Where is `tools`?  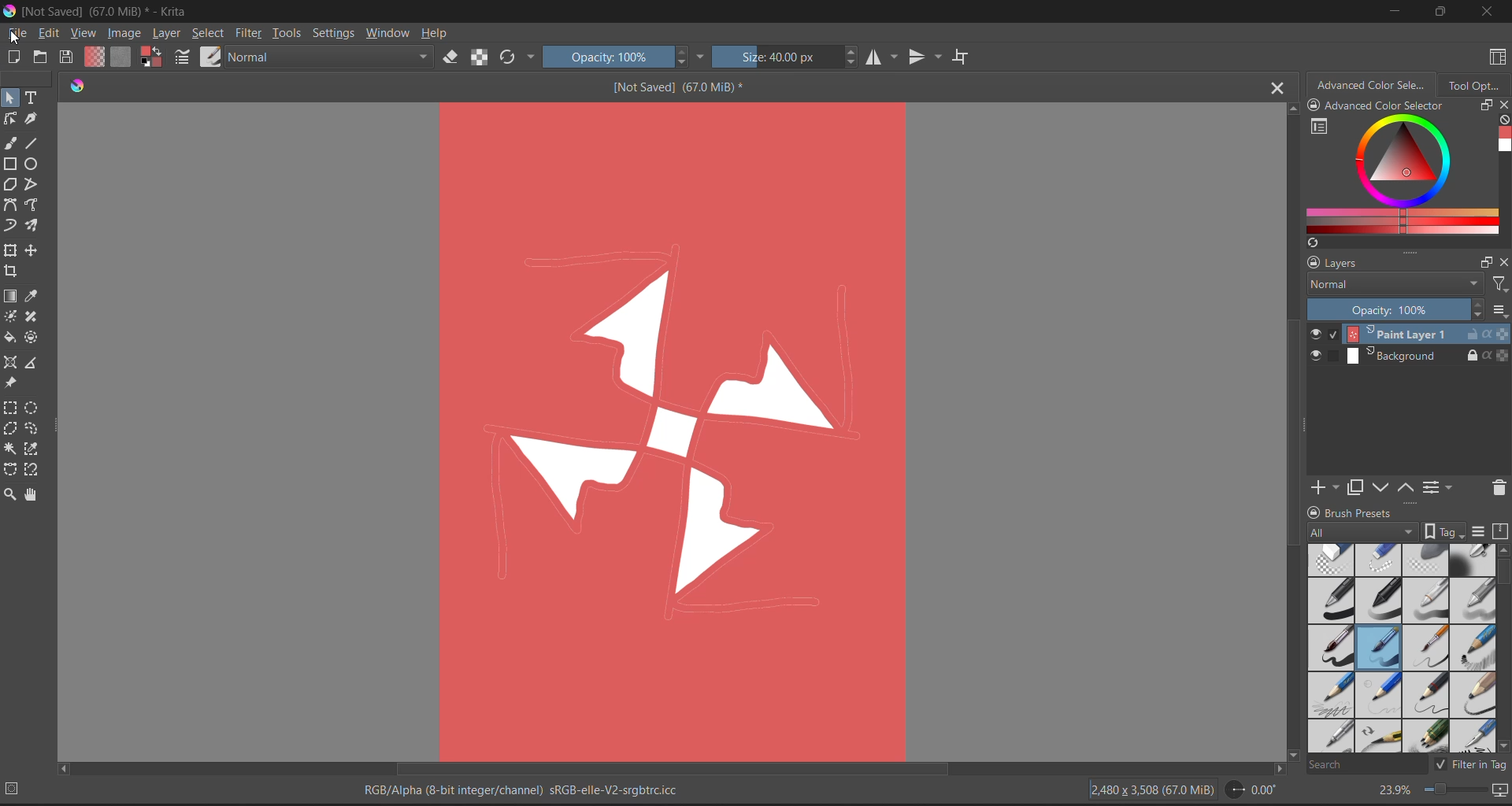 tools is located at coordinates (33, 450).